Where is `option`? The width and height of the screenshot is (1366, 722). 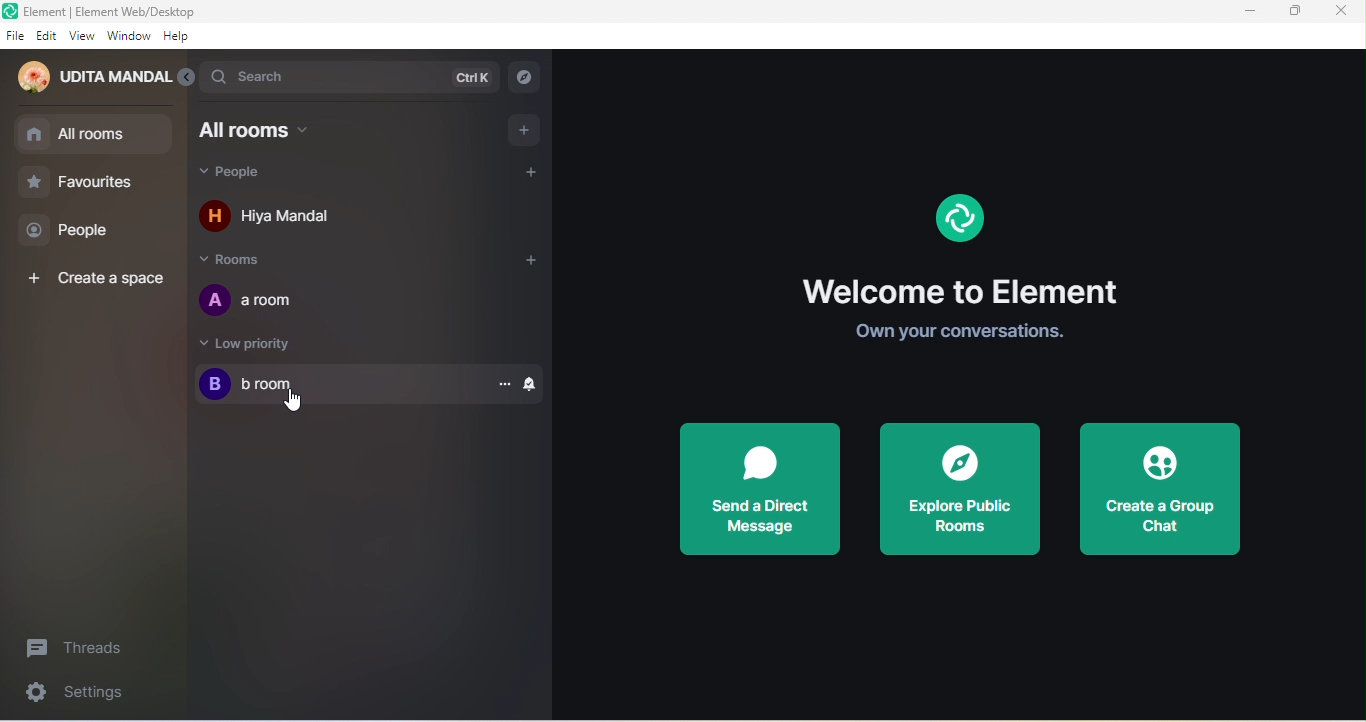
option is located at coordinates (507, 384).